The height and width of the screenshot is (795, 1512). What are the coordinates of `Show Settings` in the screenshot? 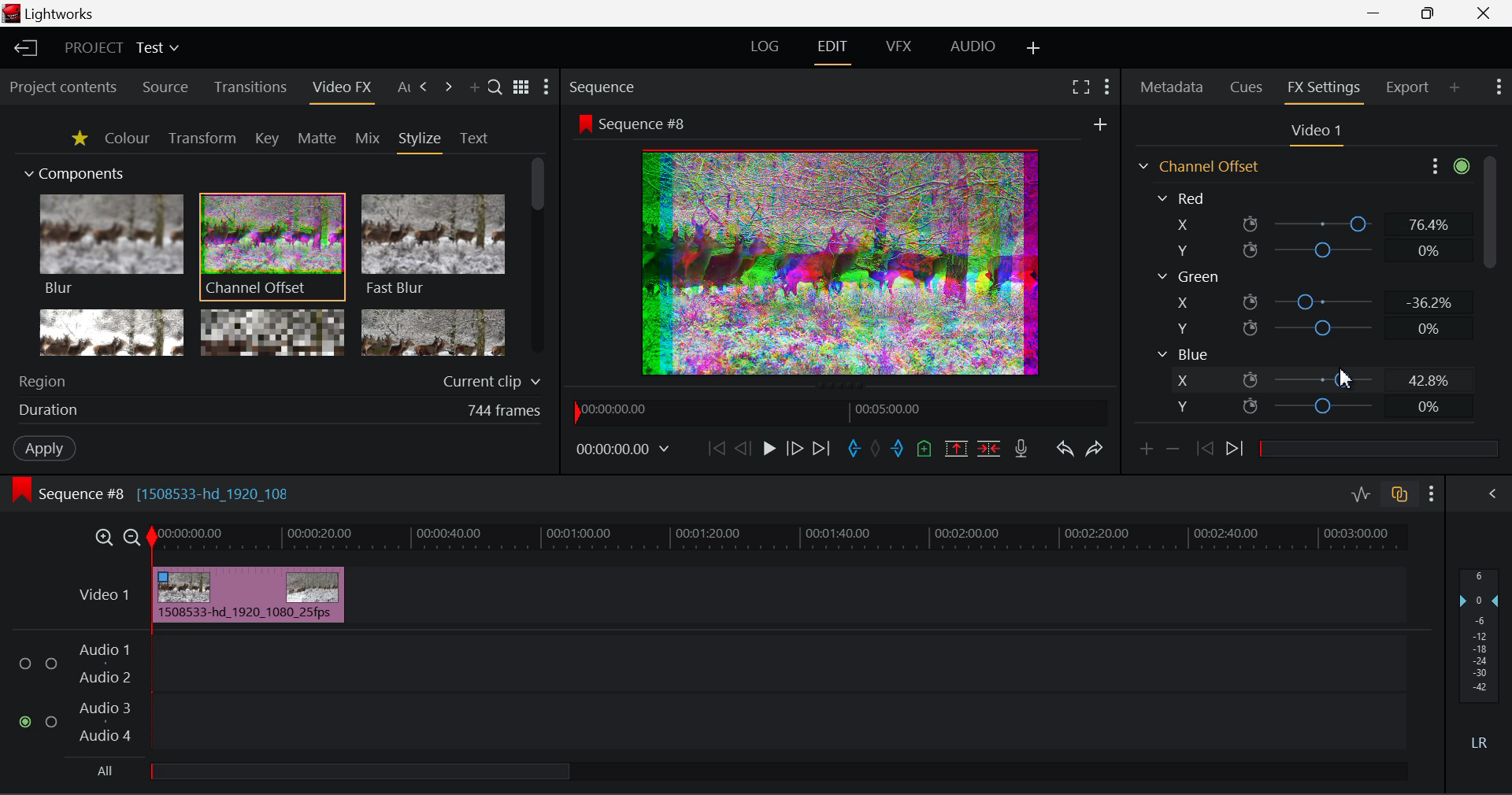 It's located at (548, 87).